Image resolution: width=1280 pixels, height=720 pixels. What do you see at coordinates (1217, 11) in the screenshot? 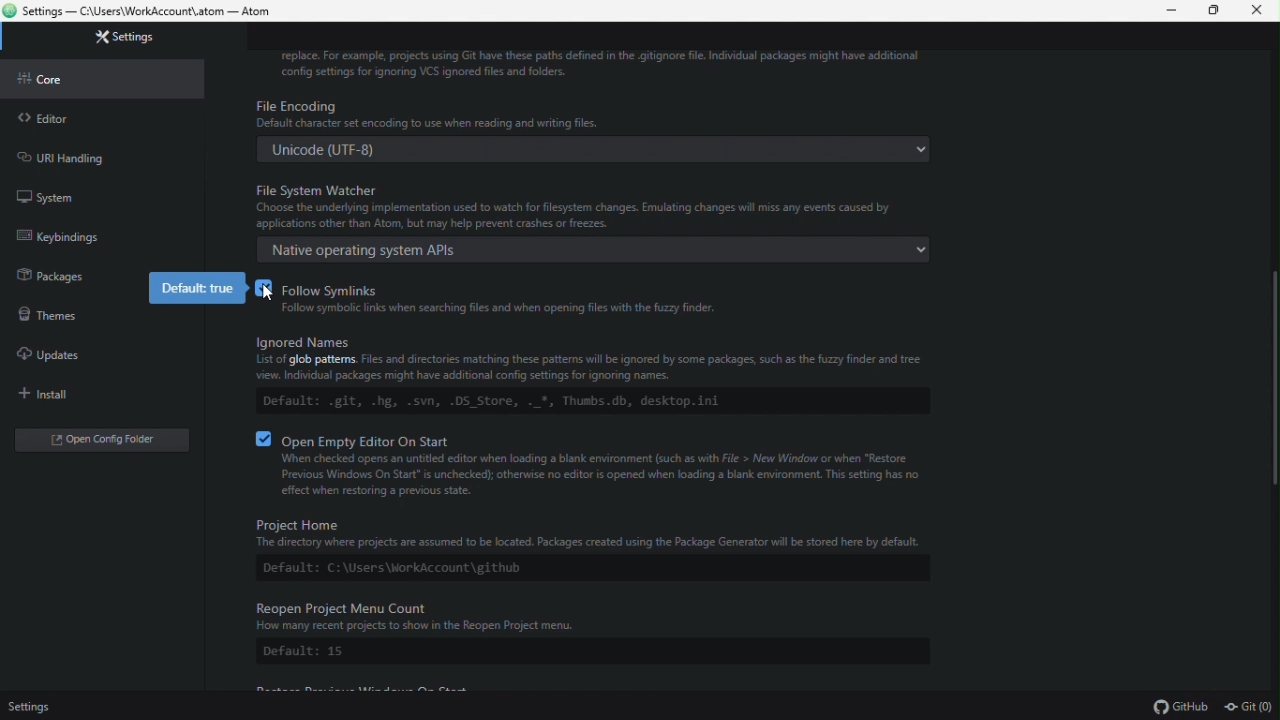
I see `Restore` at bounding box center [1217, 11].